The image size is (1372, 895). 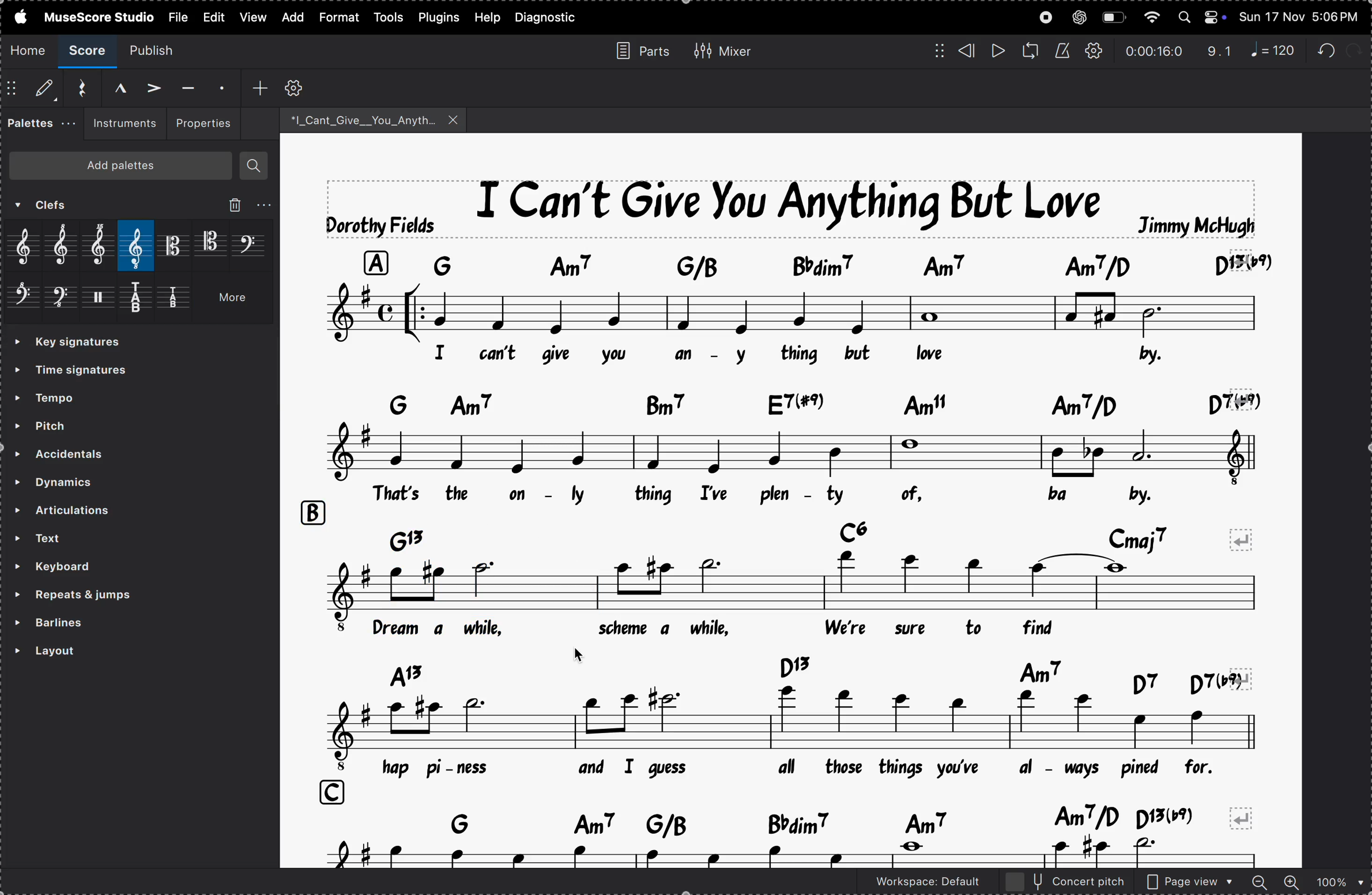 What do you see at coordinates (233, 205) in the screenshot?
I see `delete` at bounding box center [233, 205].